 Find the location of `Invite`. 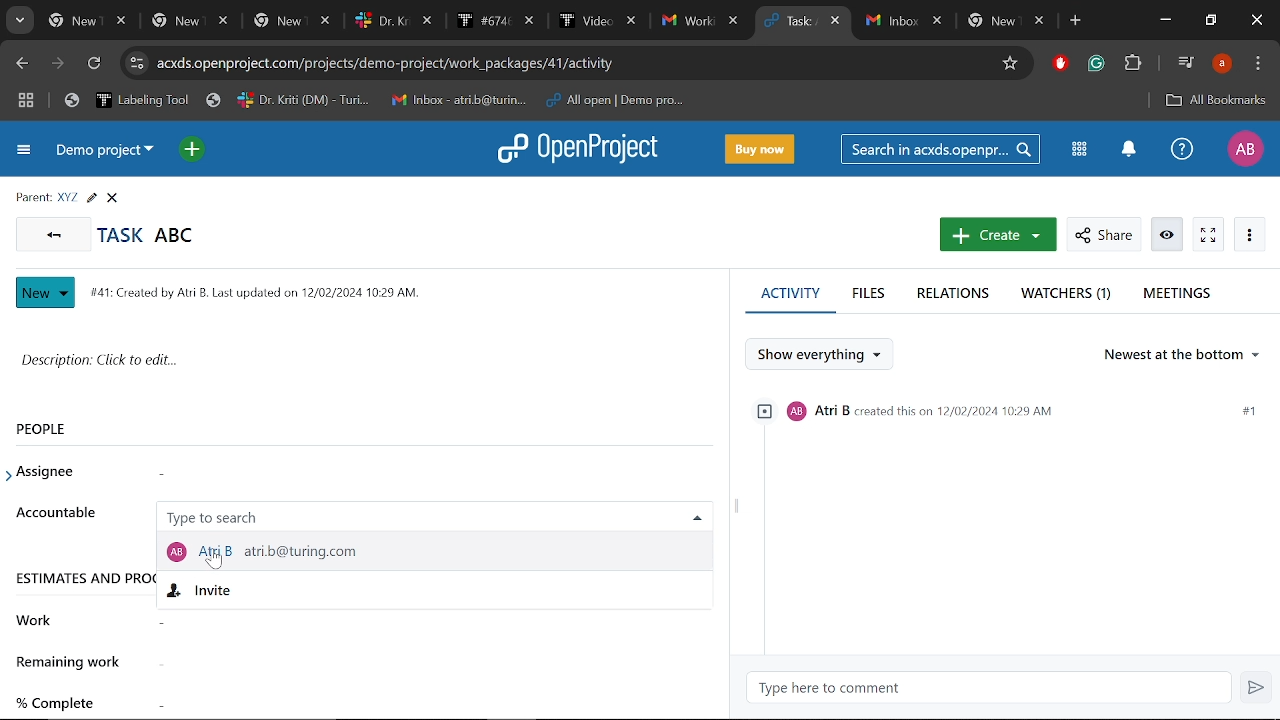

Invite is located at coordinates (434, 587).